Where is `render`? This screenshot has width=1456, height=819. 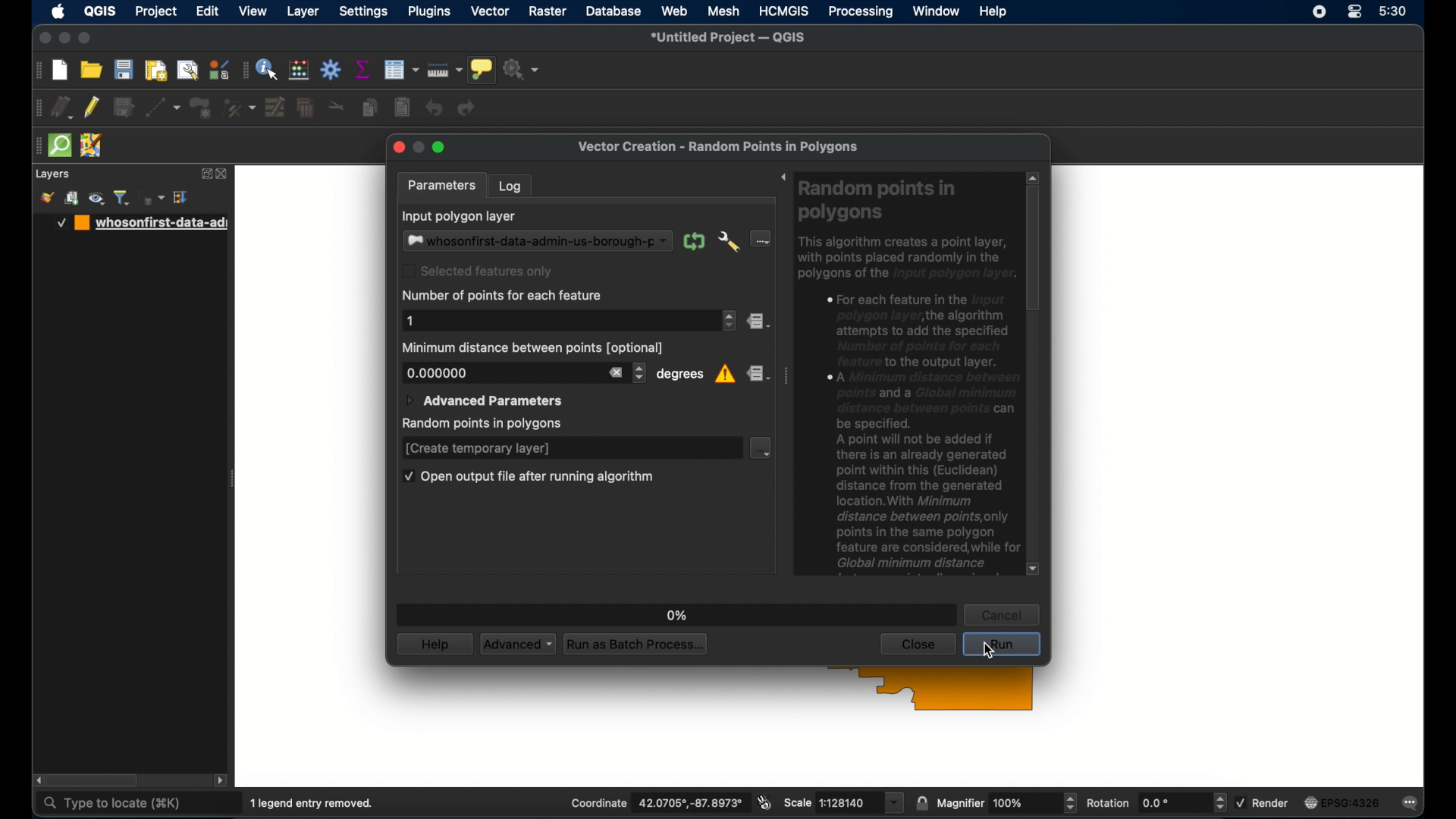 render is located at coordinates (1262, 803).